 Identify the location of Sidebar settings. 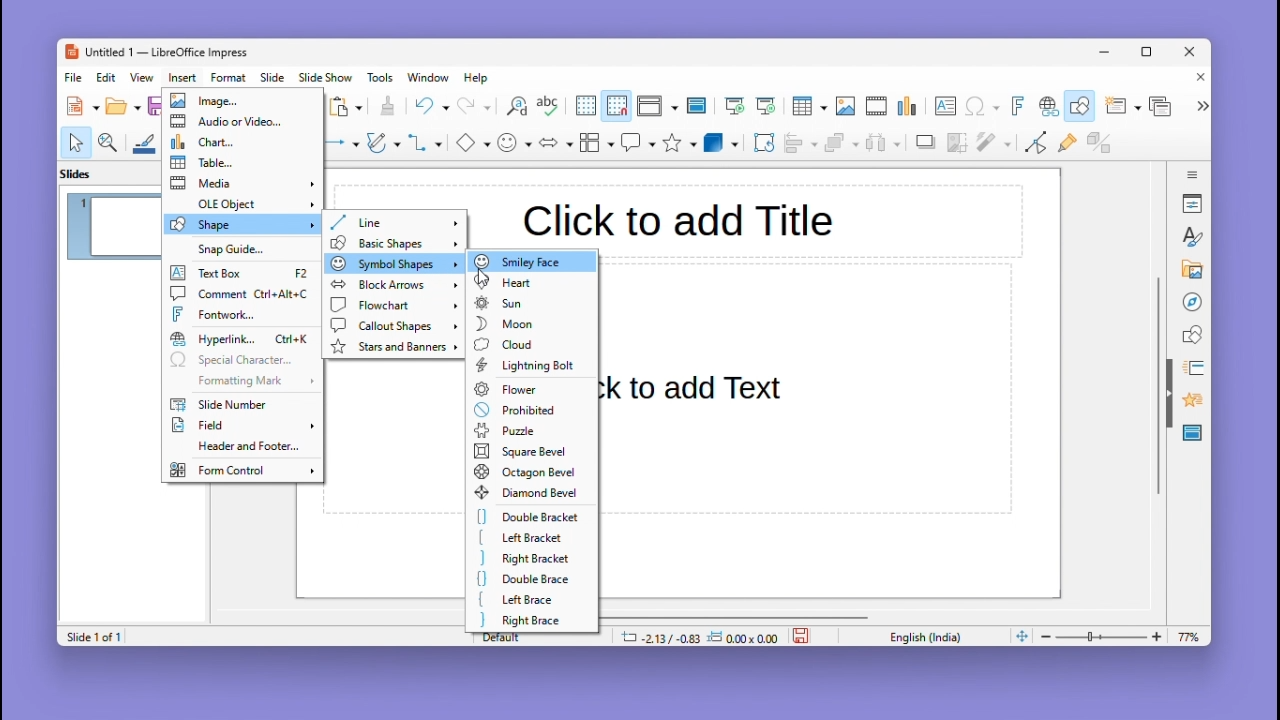
(1193, 172).